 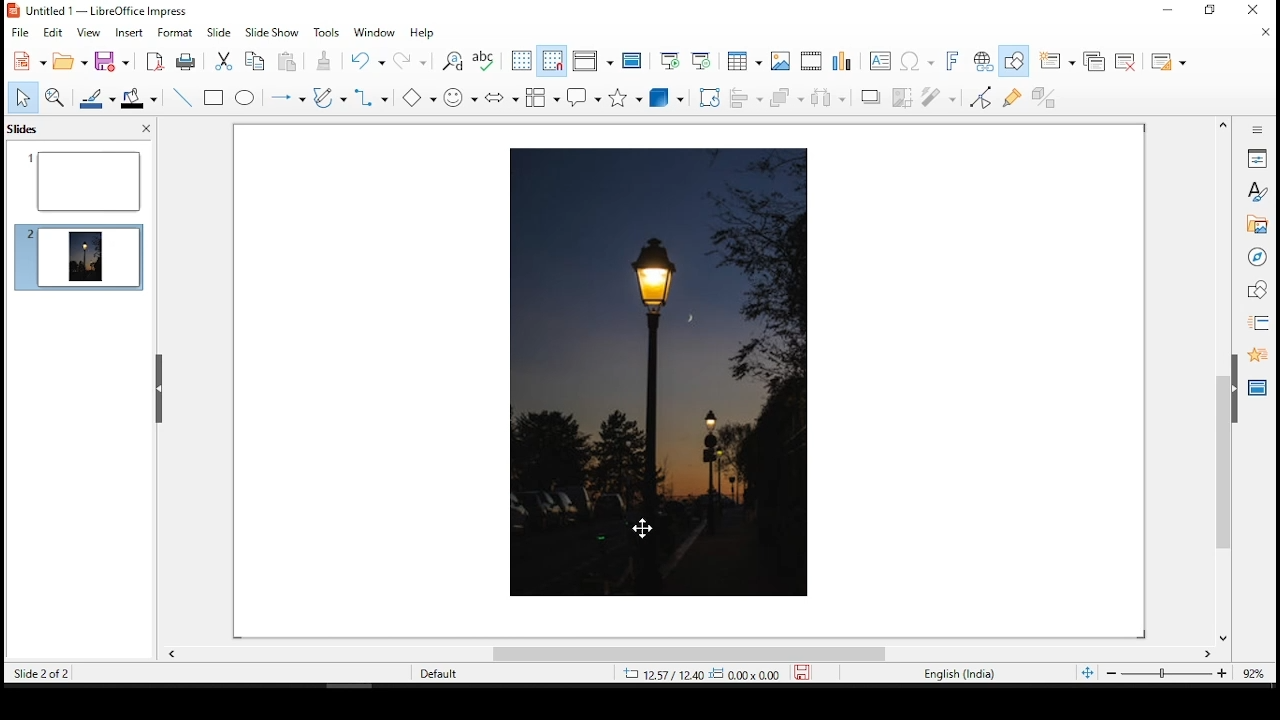 What do you see at coordinates (746, 99) in the screenshot?
I see `align objects` at bounding box center [746, 99].